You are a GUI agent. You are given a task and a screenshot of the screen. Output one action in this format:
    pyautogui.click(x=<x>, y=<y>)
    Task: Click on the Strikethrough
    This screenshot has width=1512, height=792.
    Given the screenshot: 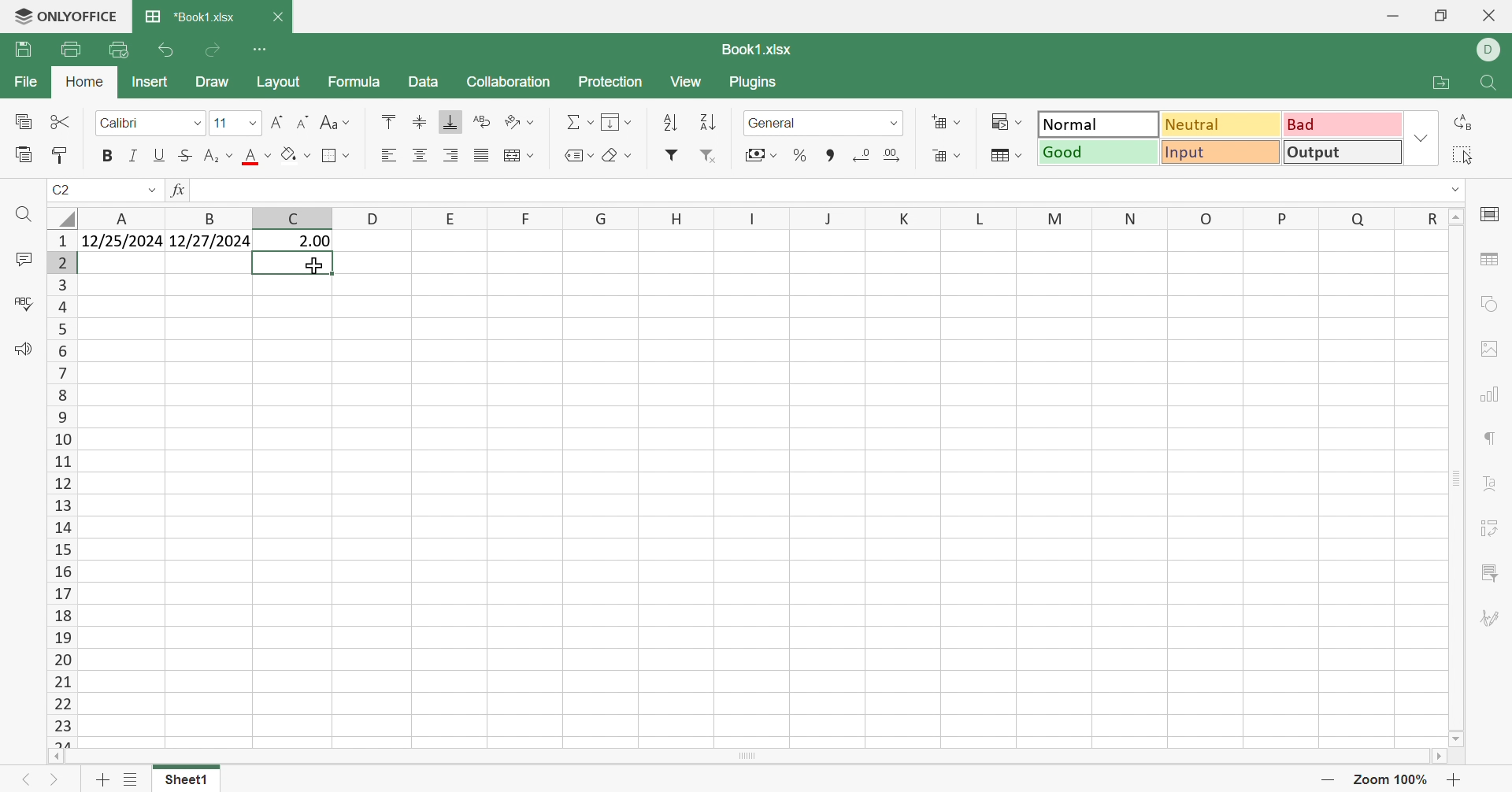 What is the action you would take?
    pyautogui.click(x=185, y=155)
    